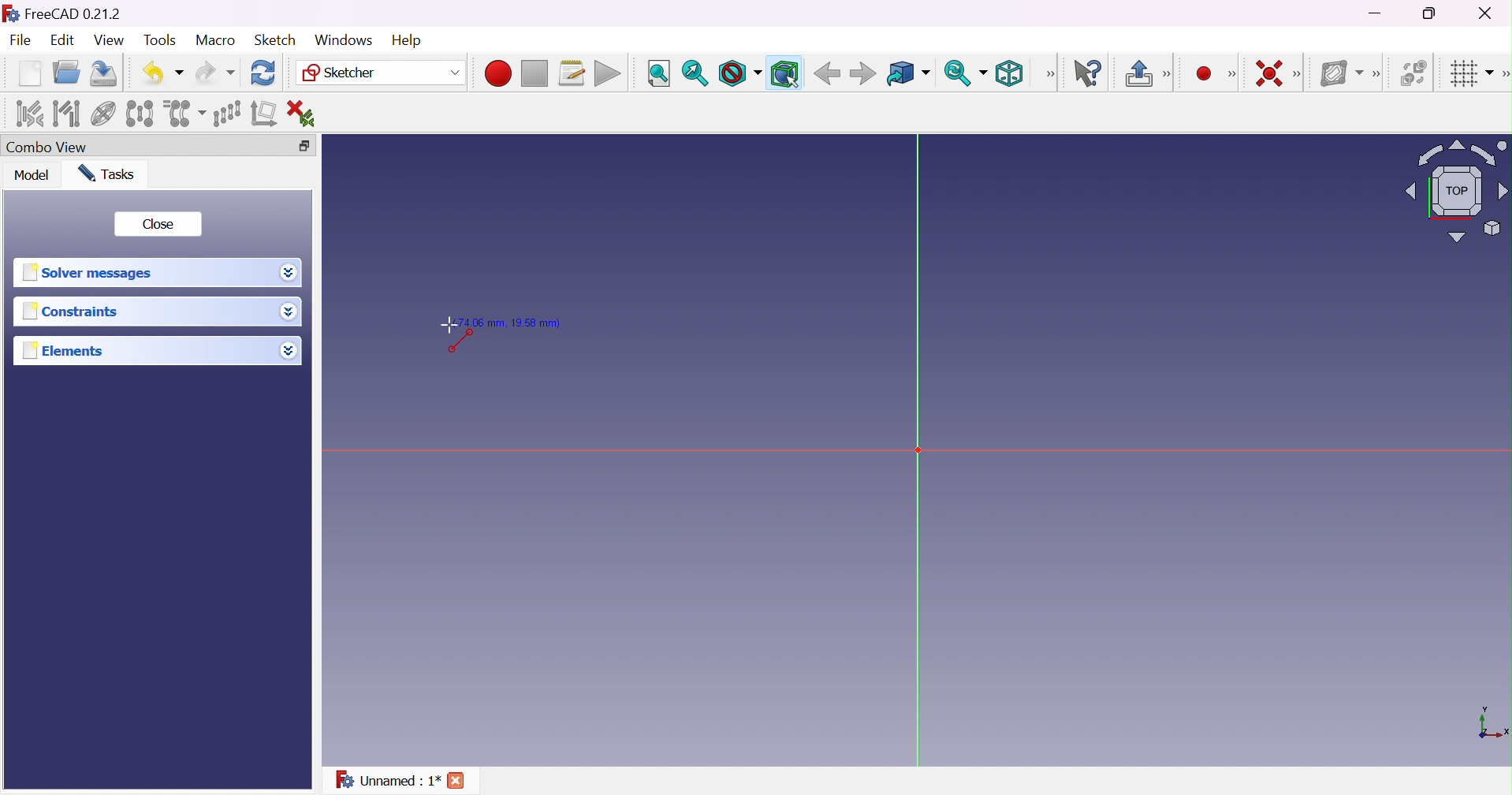  Describe the element at coordinates (162, 72) in the screenshot. I see `Undo` at that location.